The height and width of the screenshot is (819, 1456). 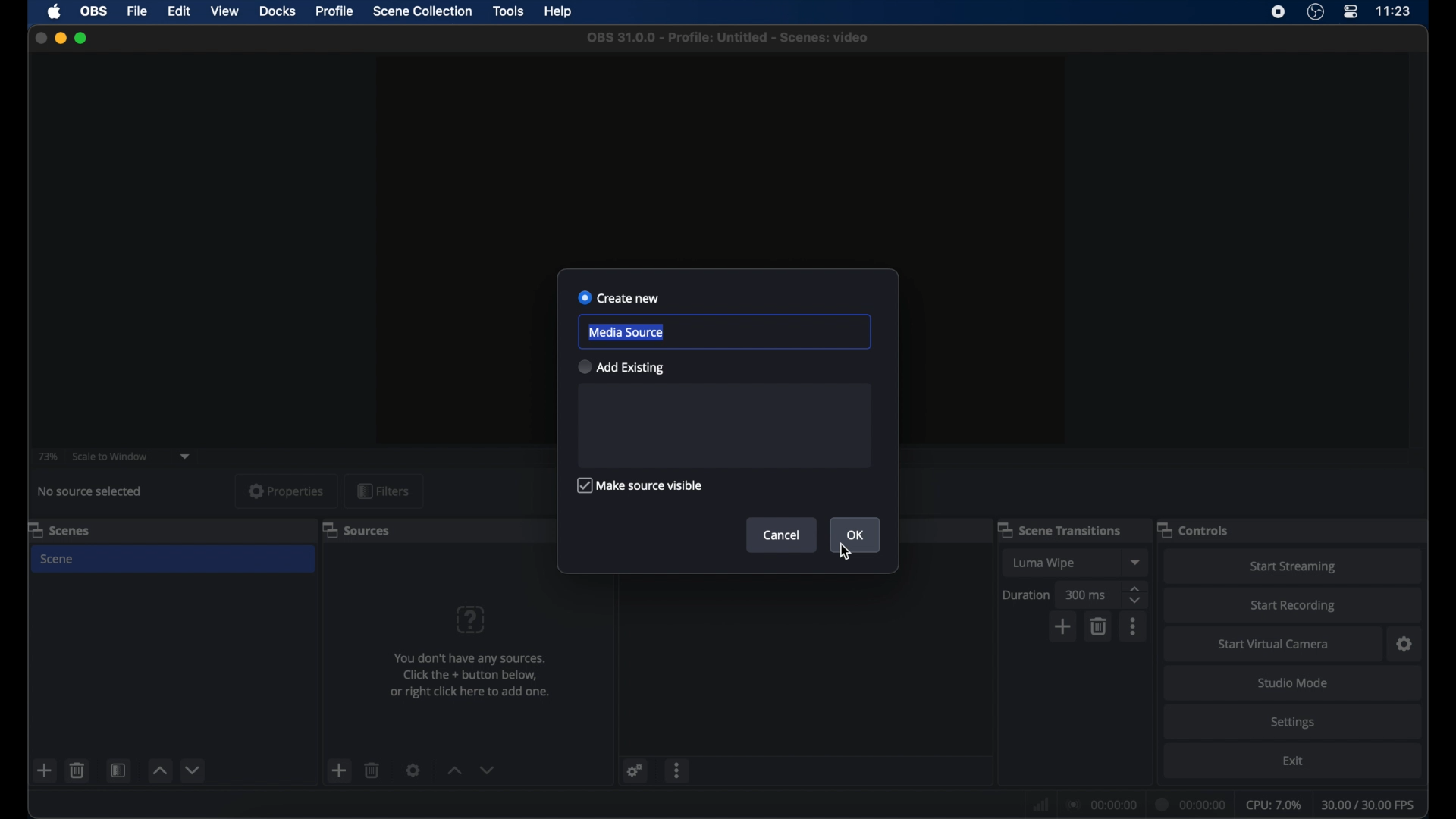 I want to click on obs studio, so click(x=1315, y=12).